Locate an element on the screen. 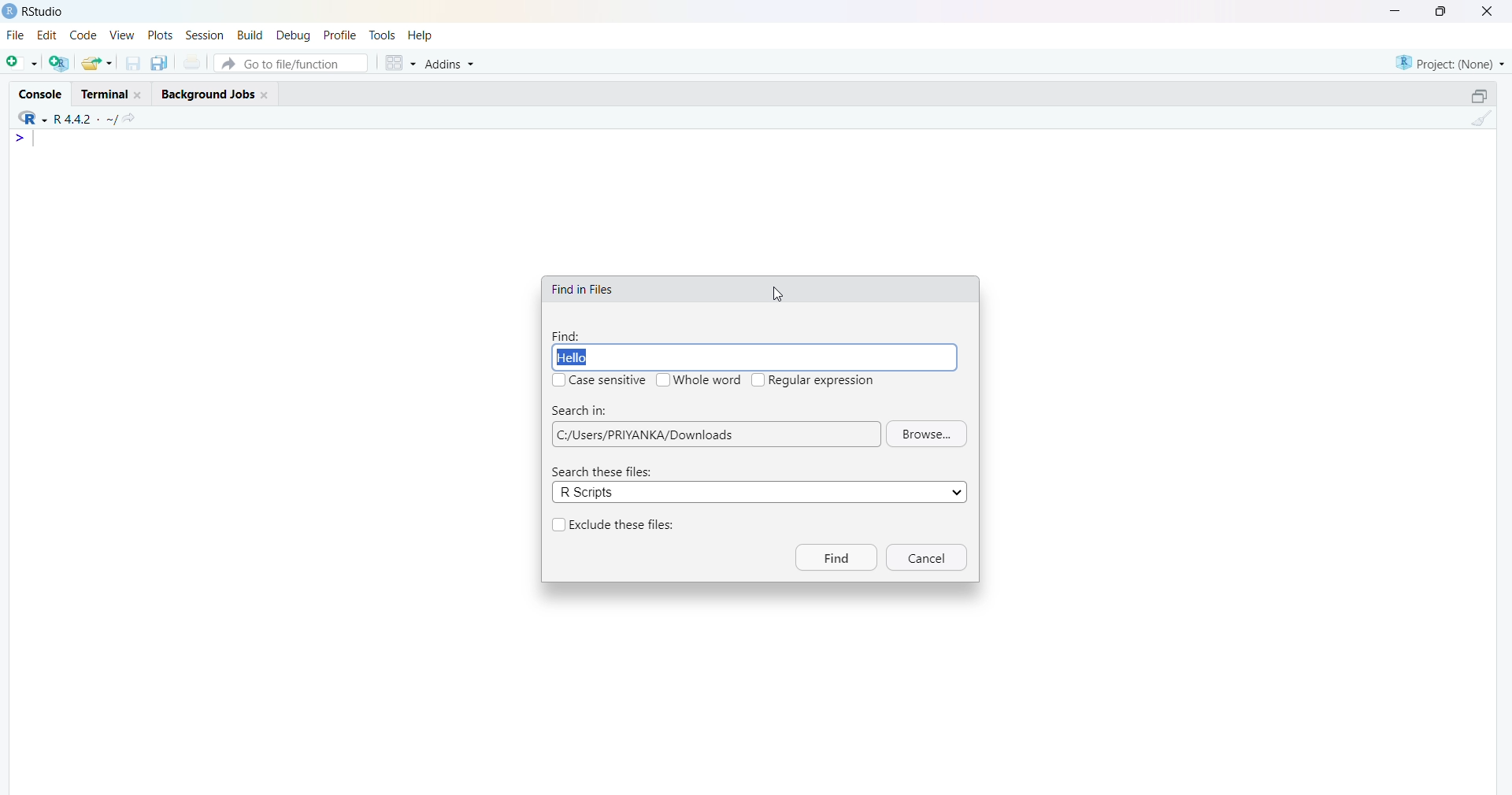 Image resolution: width=1512 pixels, height=795 pixels. Cancel is located at coordinates (928, 557).